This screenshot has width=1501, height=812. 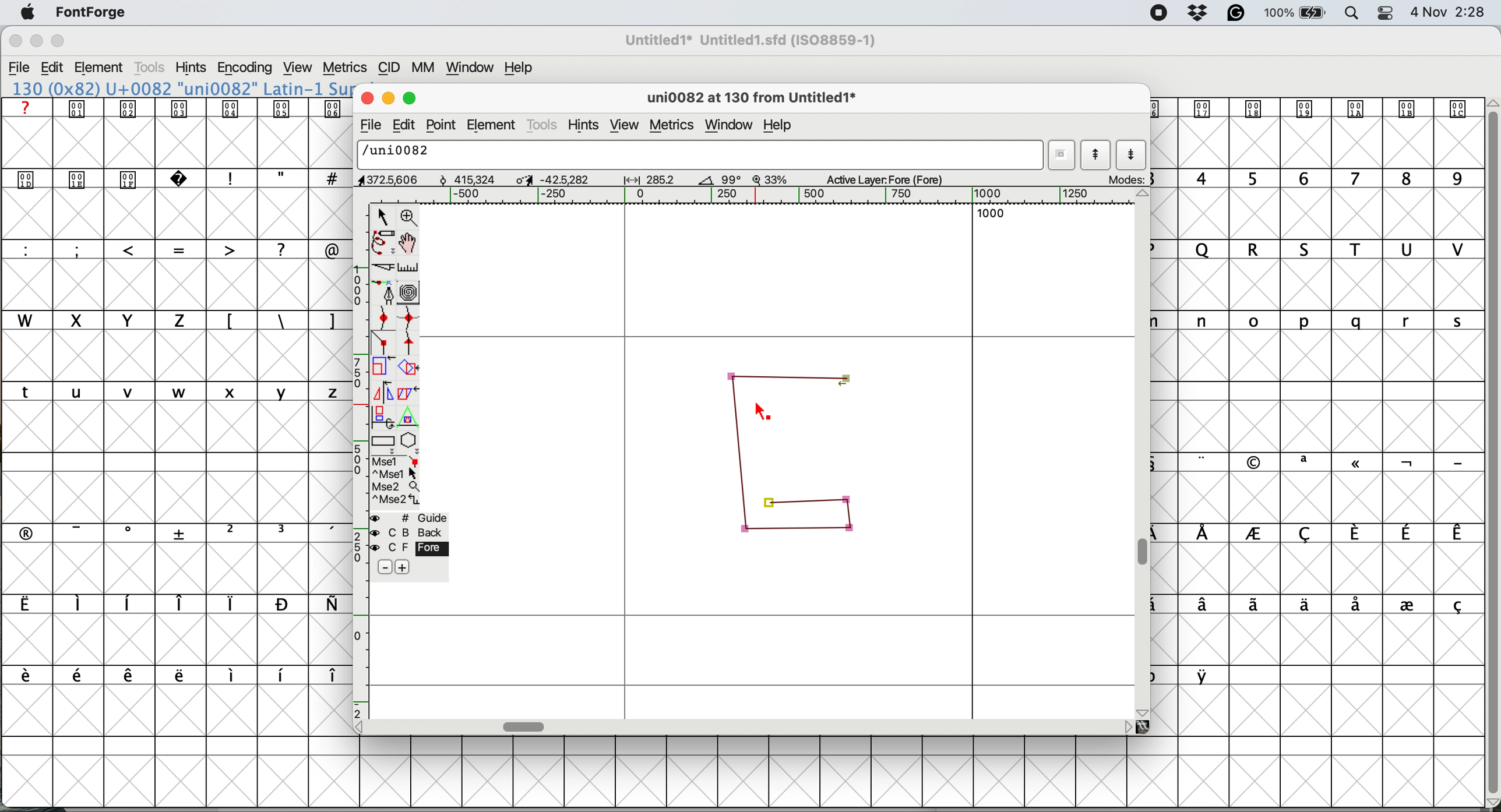 What do you see at coordinates (788, 374) in the screenshot?
I see `corner points connected` at bounding box center [788, 374].